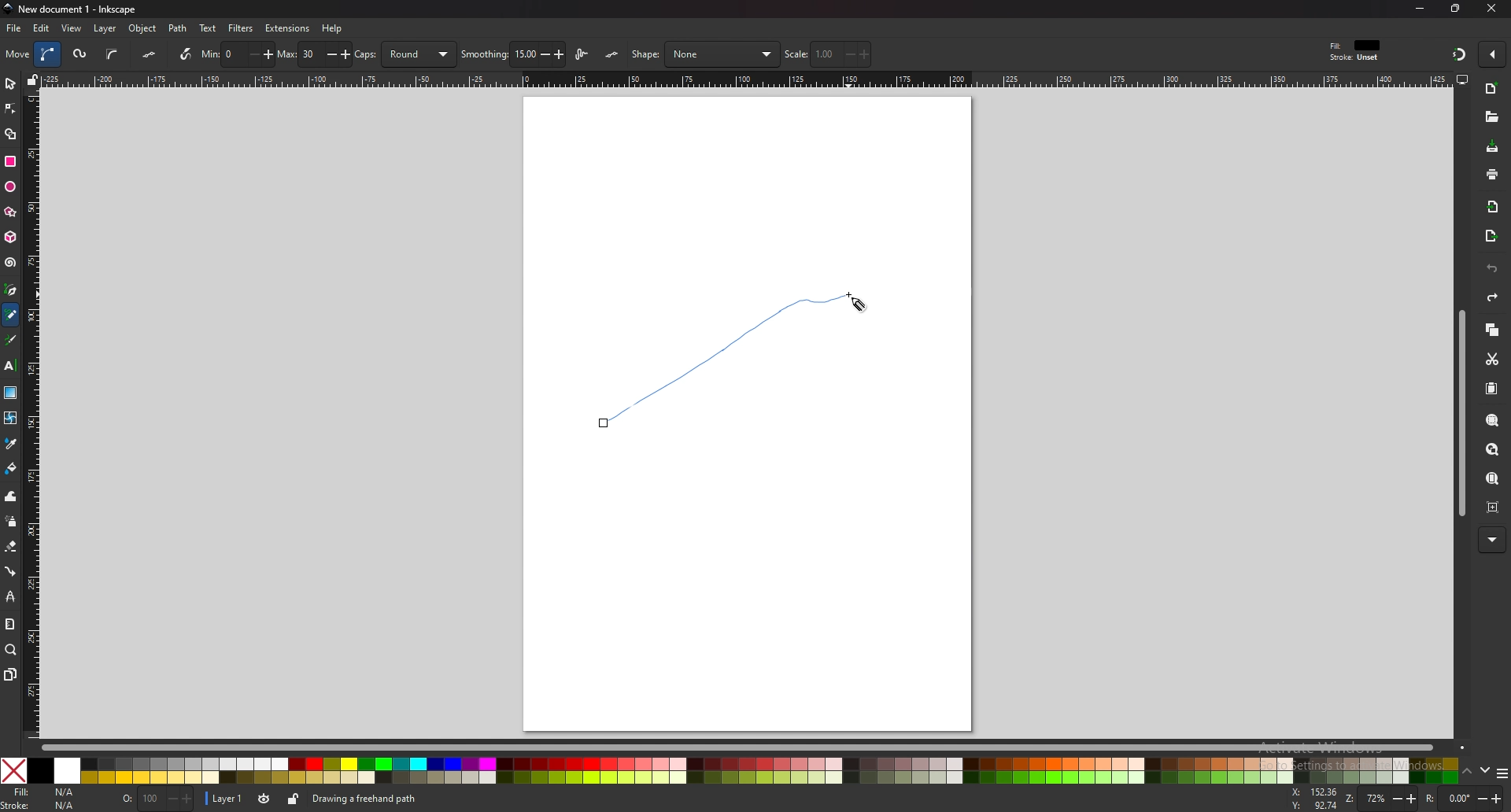 This screenshot has height=812, width=1511. Describe the element at coordinates (10, 496) in the screenshot. I see `tweak` at that location.